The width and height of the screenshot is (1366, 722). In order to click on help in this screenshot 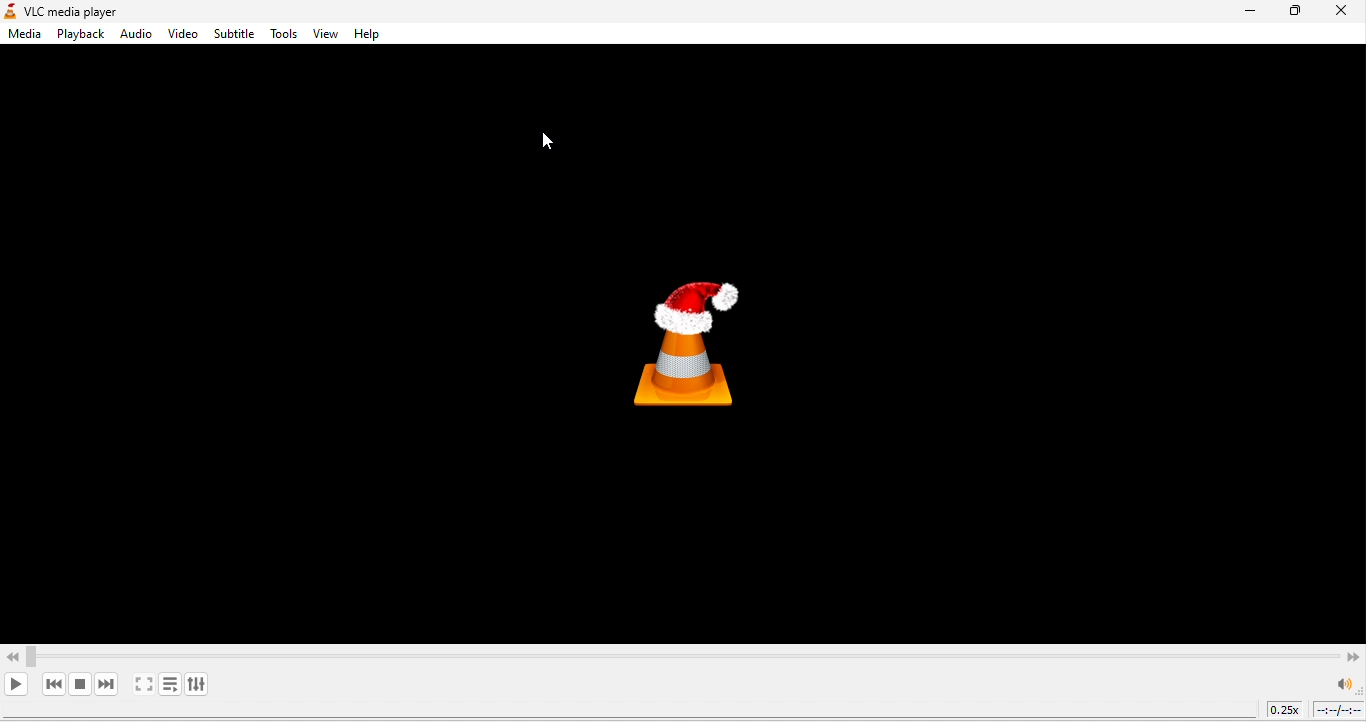, I will do `click(364, 37)`.